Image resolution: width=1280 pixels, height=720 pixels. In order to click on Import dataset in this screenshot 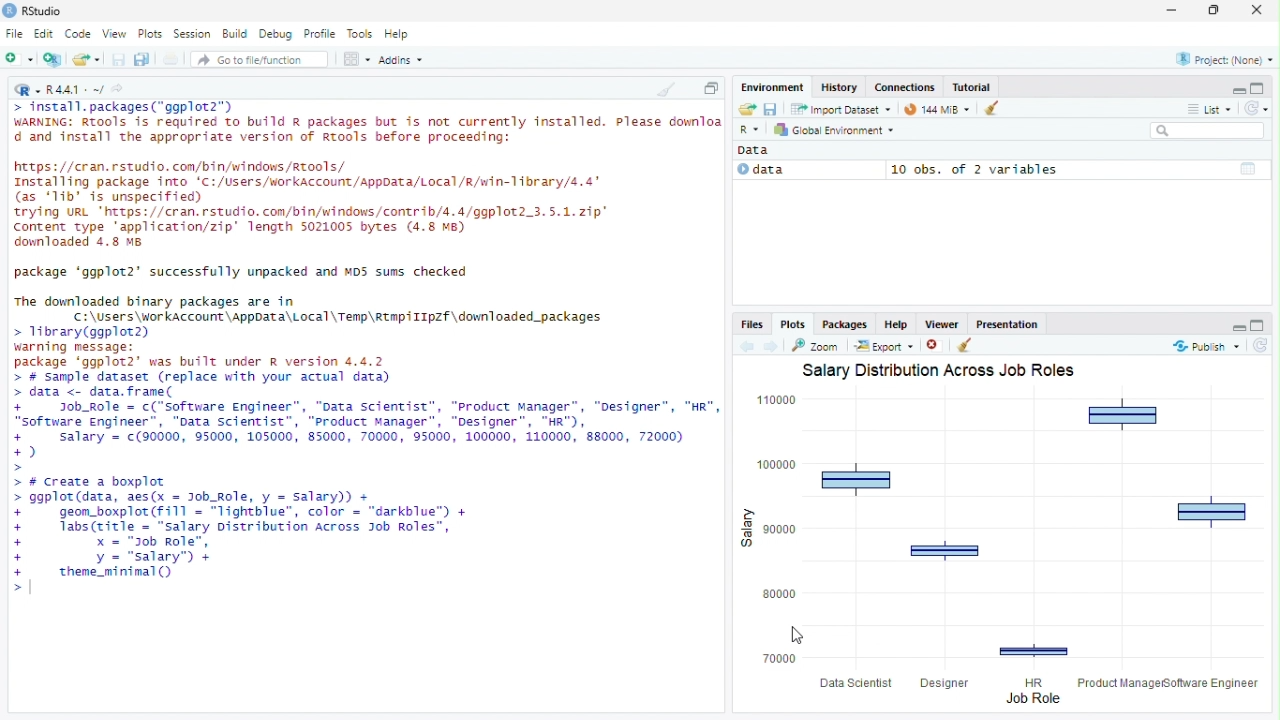, I will do `click(842, 109)`.